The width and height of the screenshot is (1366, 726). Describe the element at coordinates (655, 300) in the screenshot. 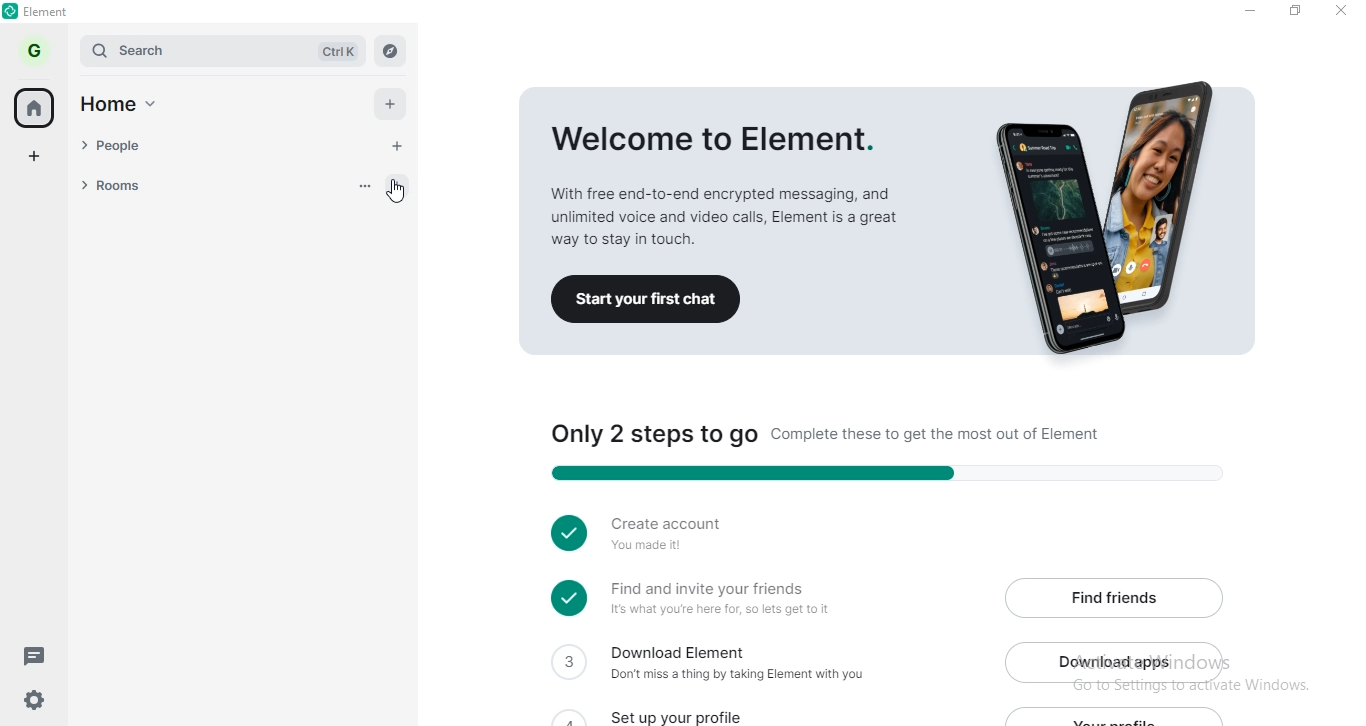

I see `Start your first chat` at that location.